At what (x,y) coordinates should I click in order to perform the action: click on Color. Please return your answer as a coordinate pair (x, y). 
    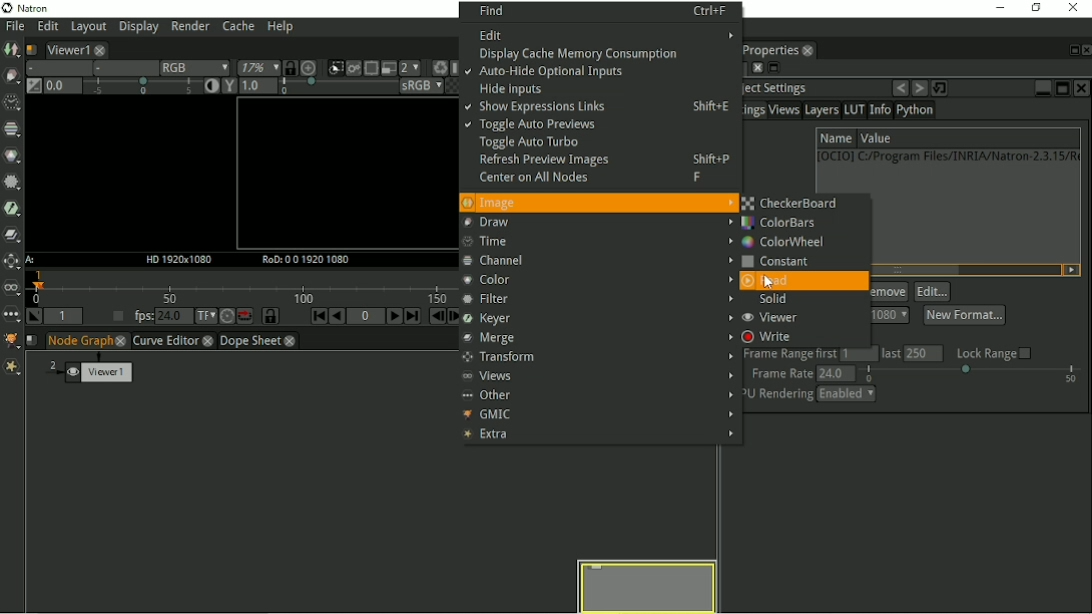
    Looking at the image, I should click on (598, 281).